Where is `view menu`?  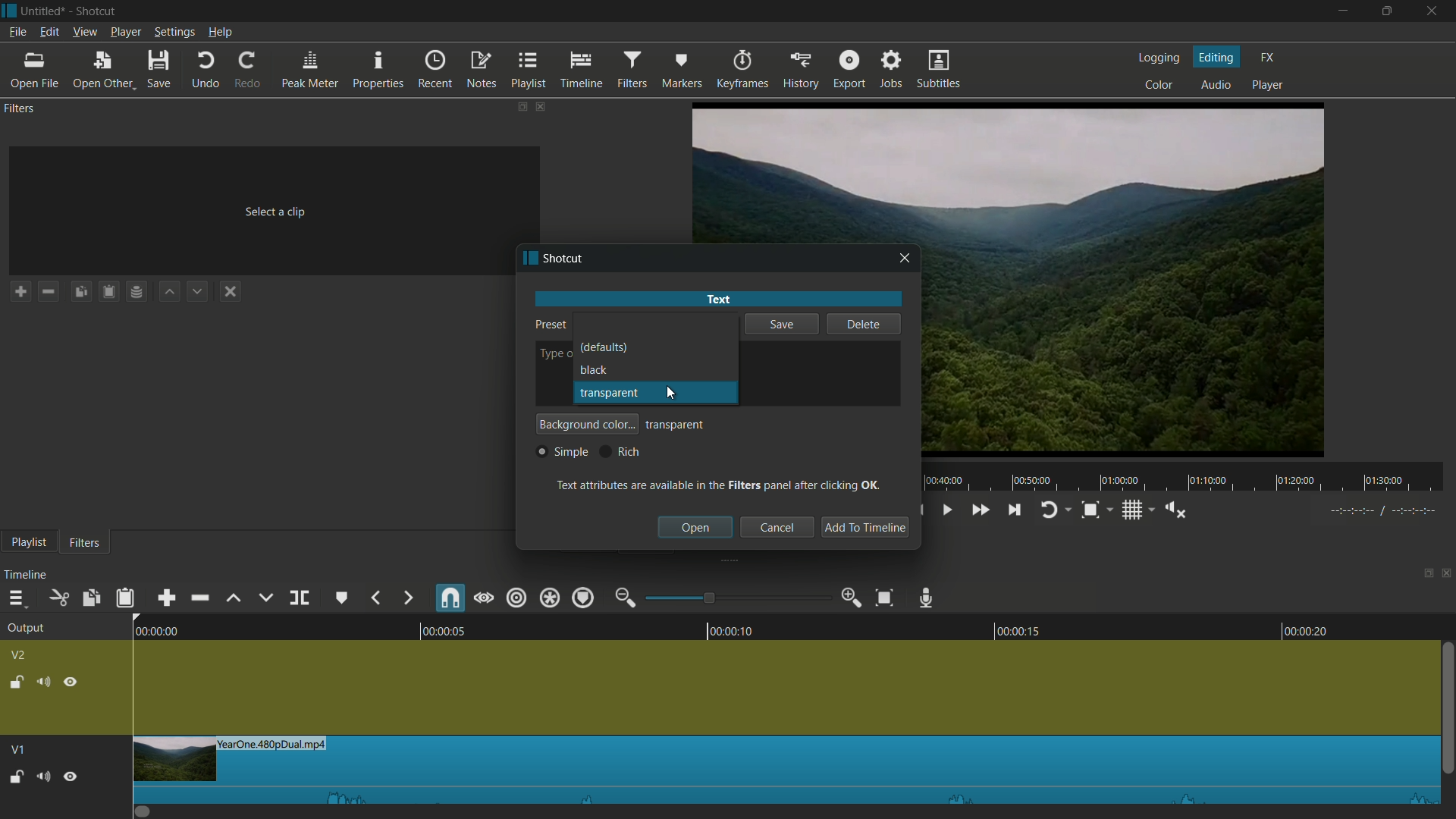
view menu is located at coordinates (86, 32).